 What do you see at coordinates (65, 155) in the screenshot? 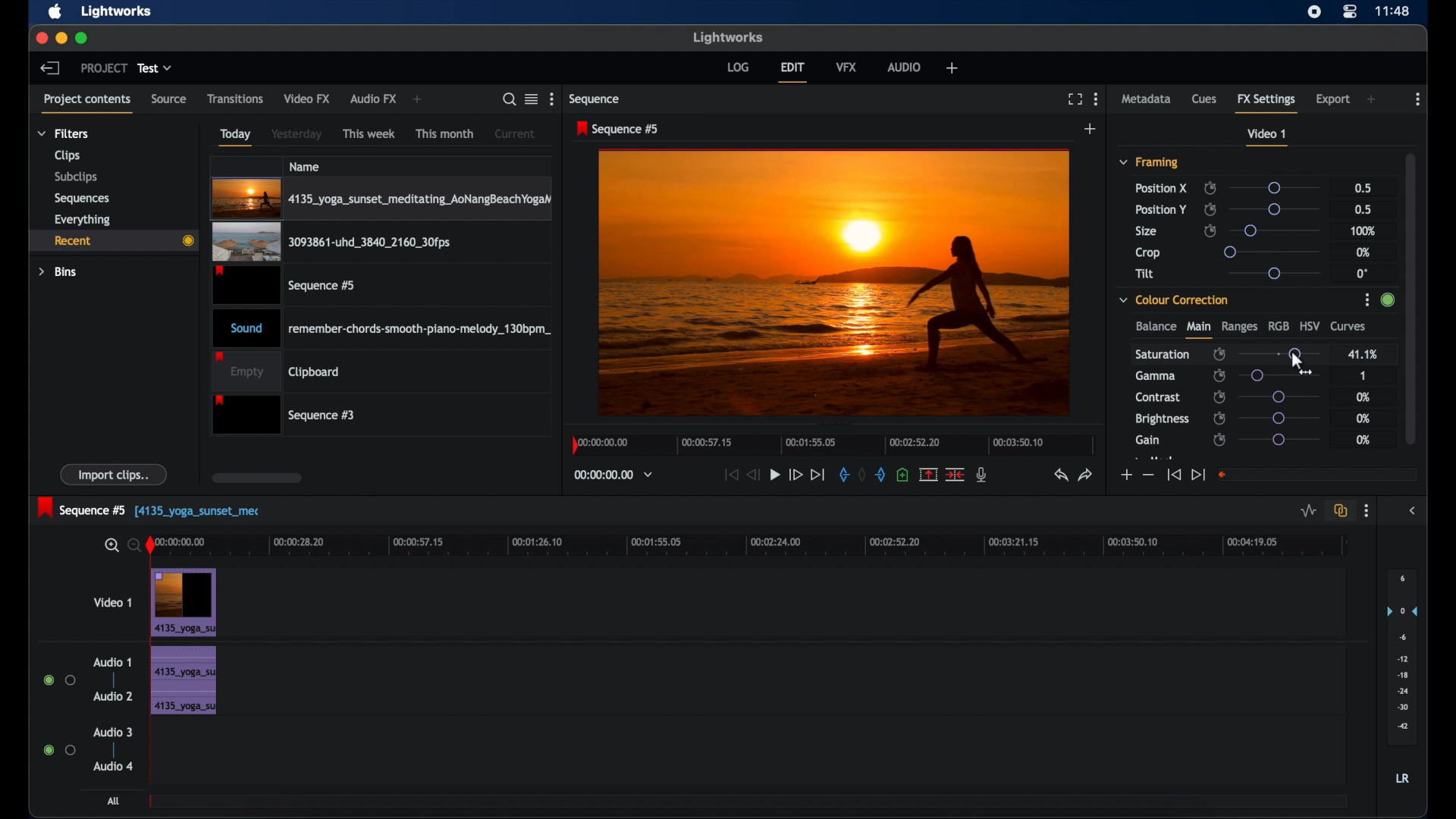
I see `clips` at bounding box center [65, 155].